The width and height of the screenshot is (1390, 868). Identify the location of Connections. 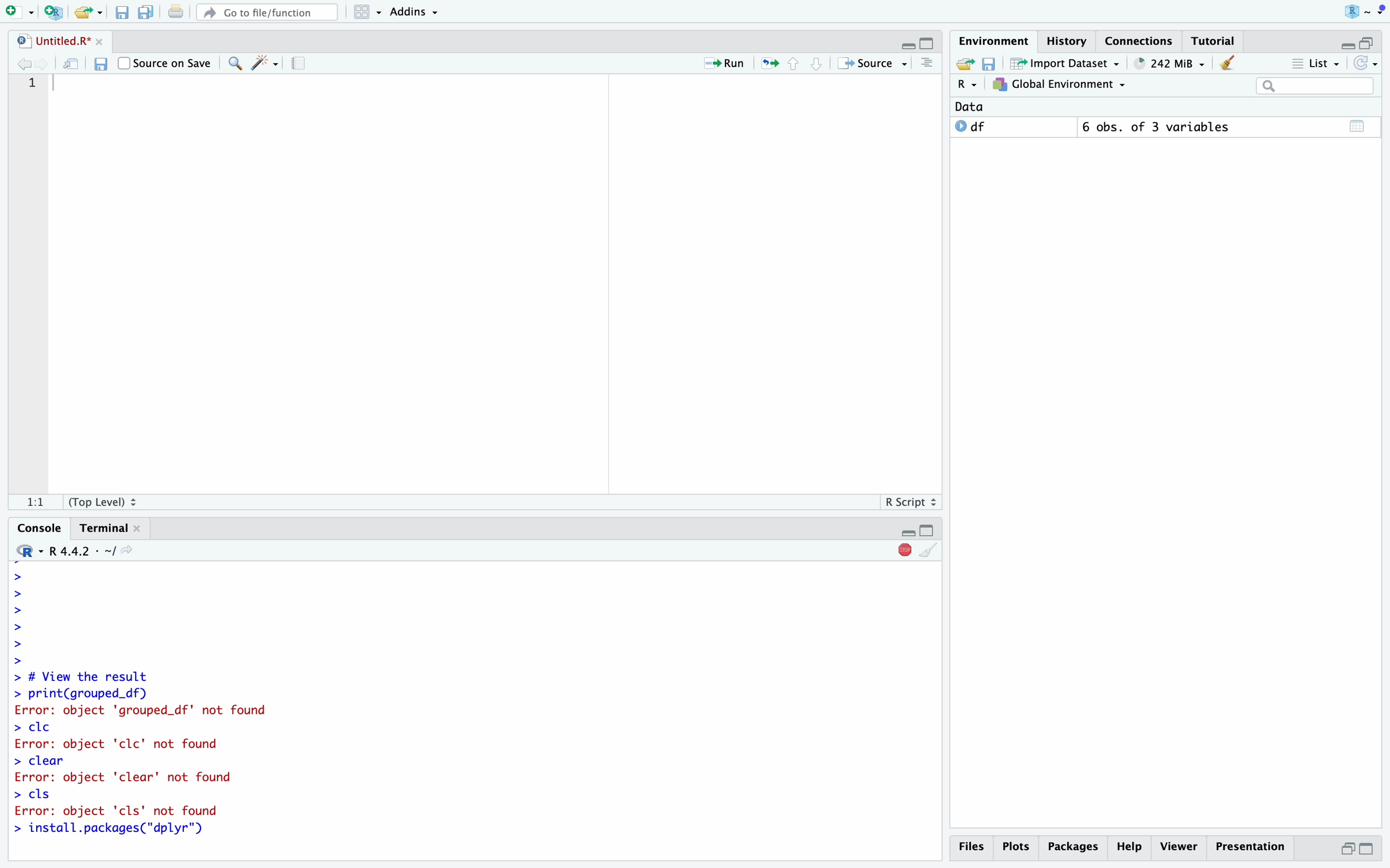
(1139, 41).